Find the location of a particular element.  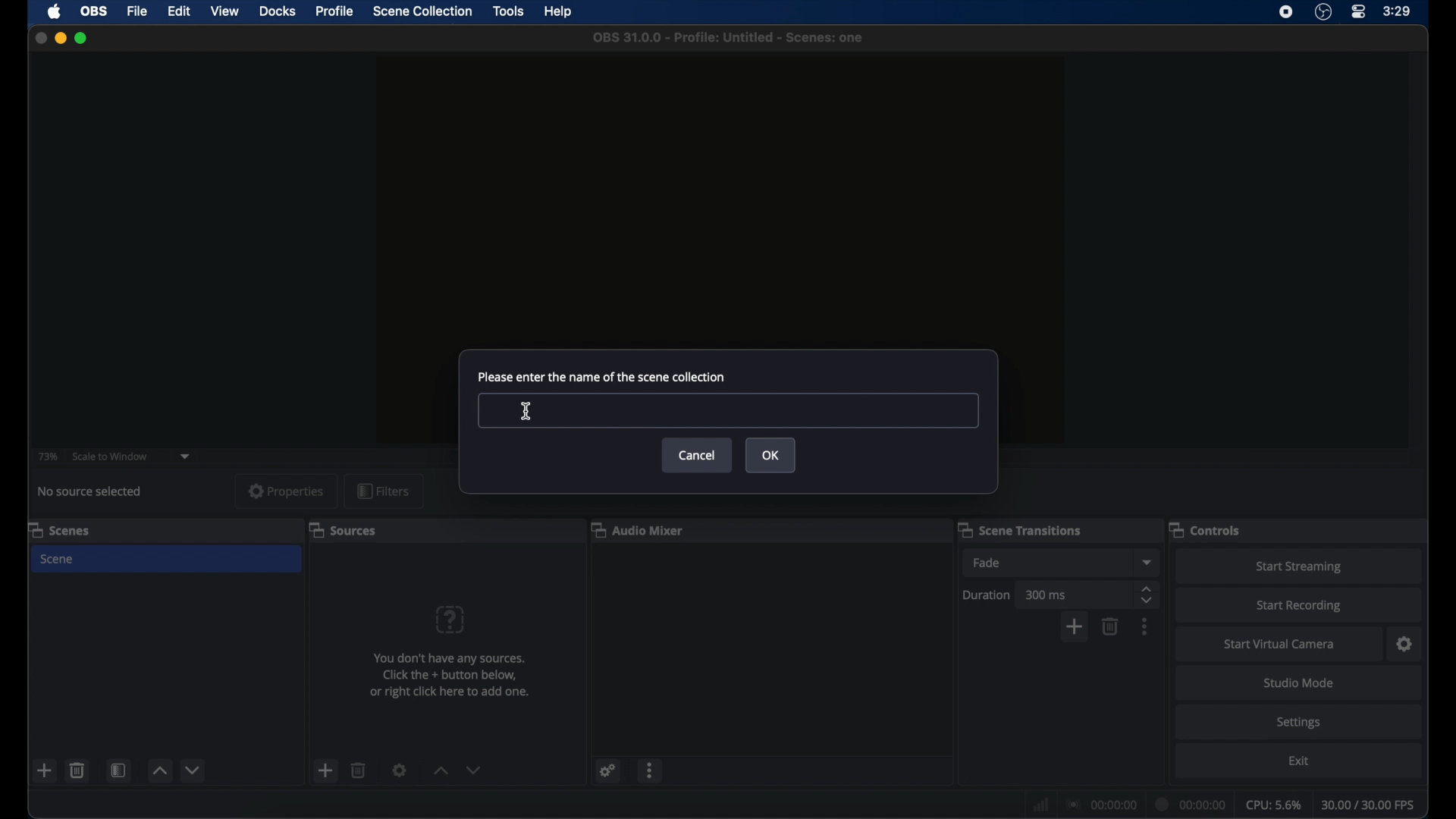

obs is located at coordinates (94, 11).